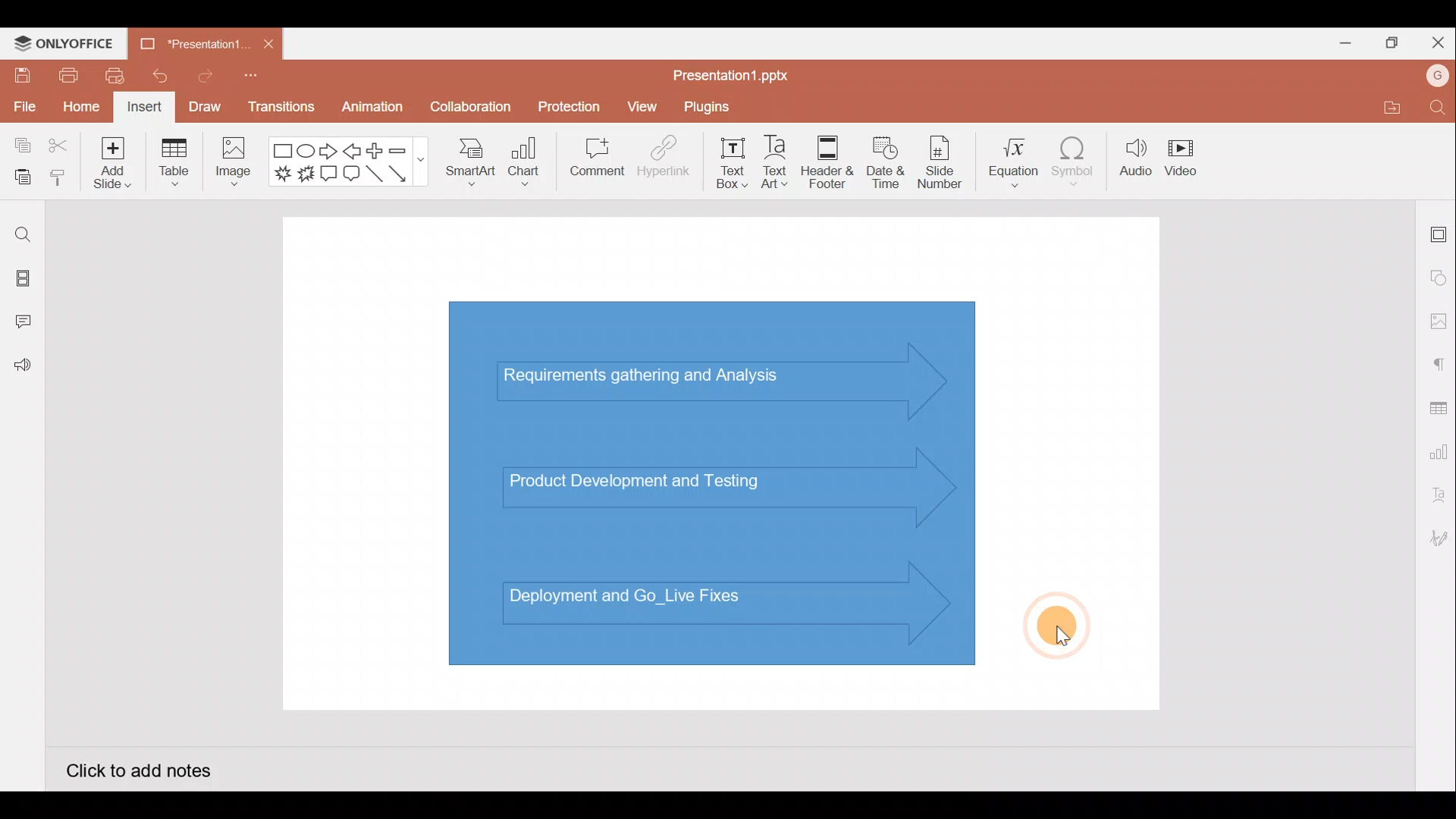  Describe the element at coordinates (736, 72) in the screenshot. I see `Presentation1.pptx` at that location.